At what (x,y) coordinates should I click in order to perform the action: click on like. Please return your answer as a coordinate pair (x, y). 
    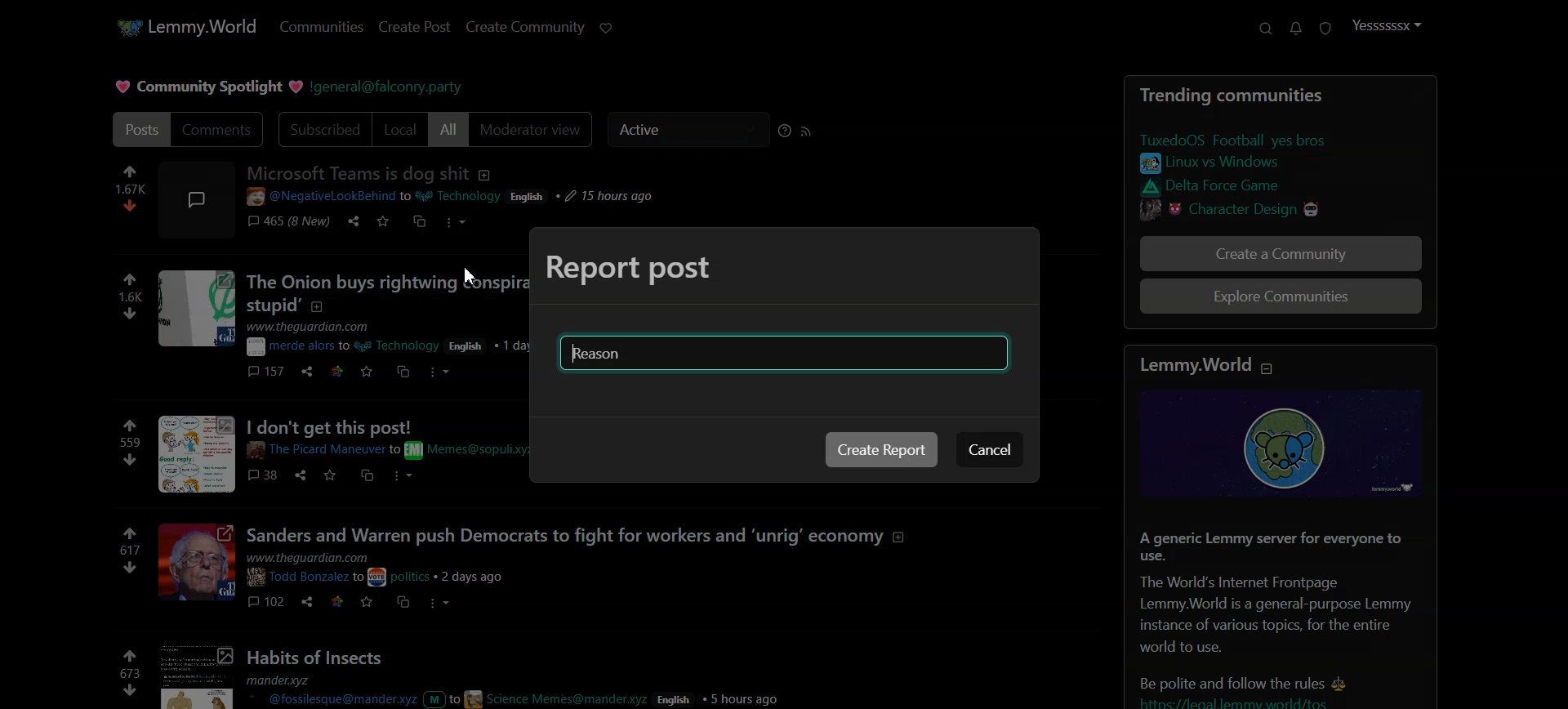
    Looking at the image, I should click on (131, 170).